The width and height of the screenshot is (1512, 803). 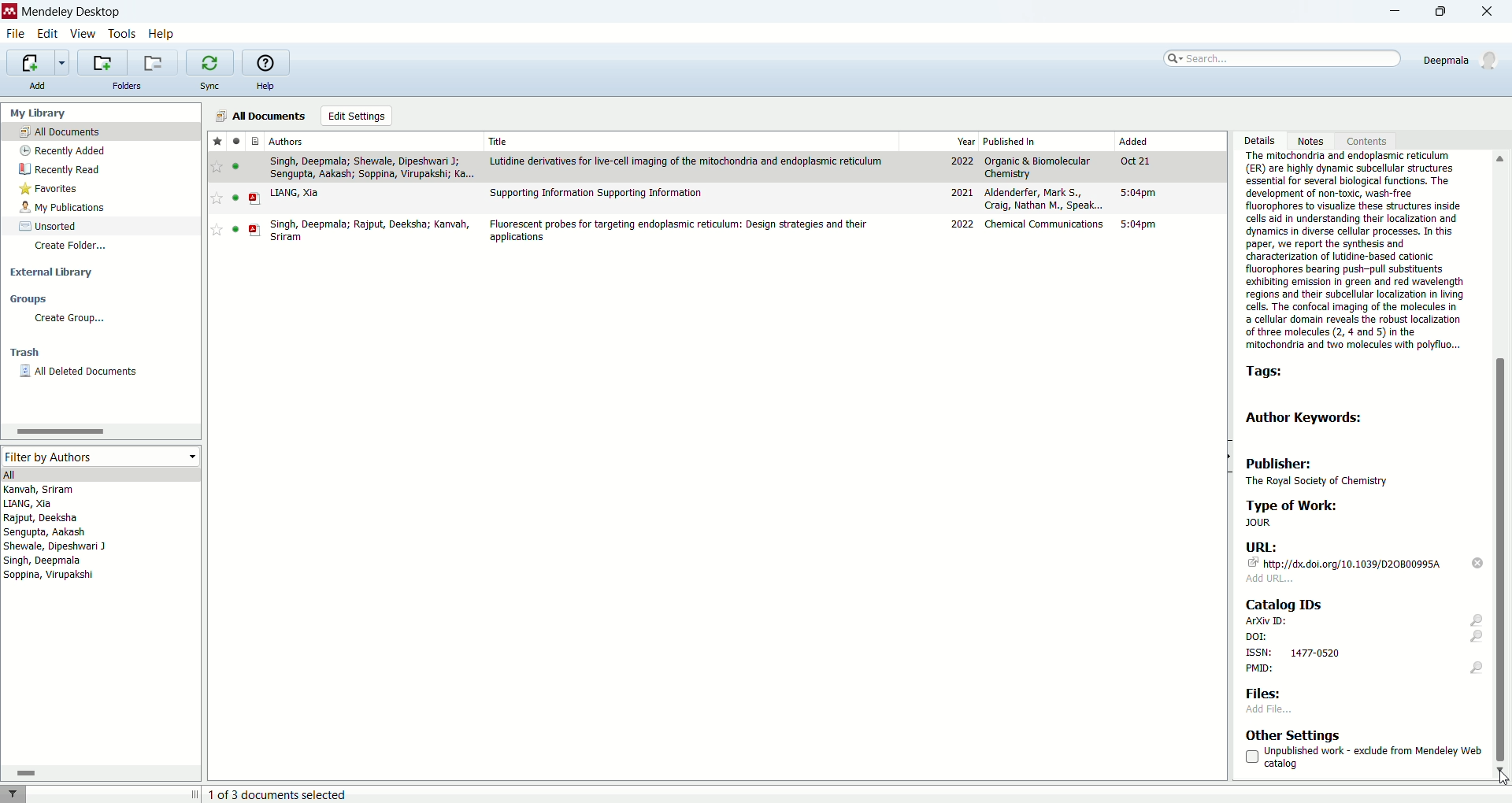 What do you see at coordinates (209, 86) in the screenshot?
I see `sync` at bounding box center [209, 86].